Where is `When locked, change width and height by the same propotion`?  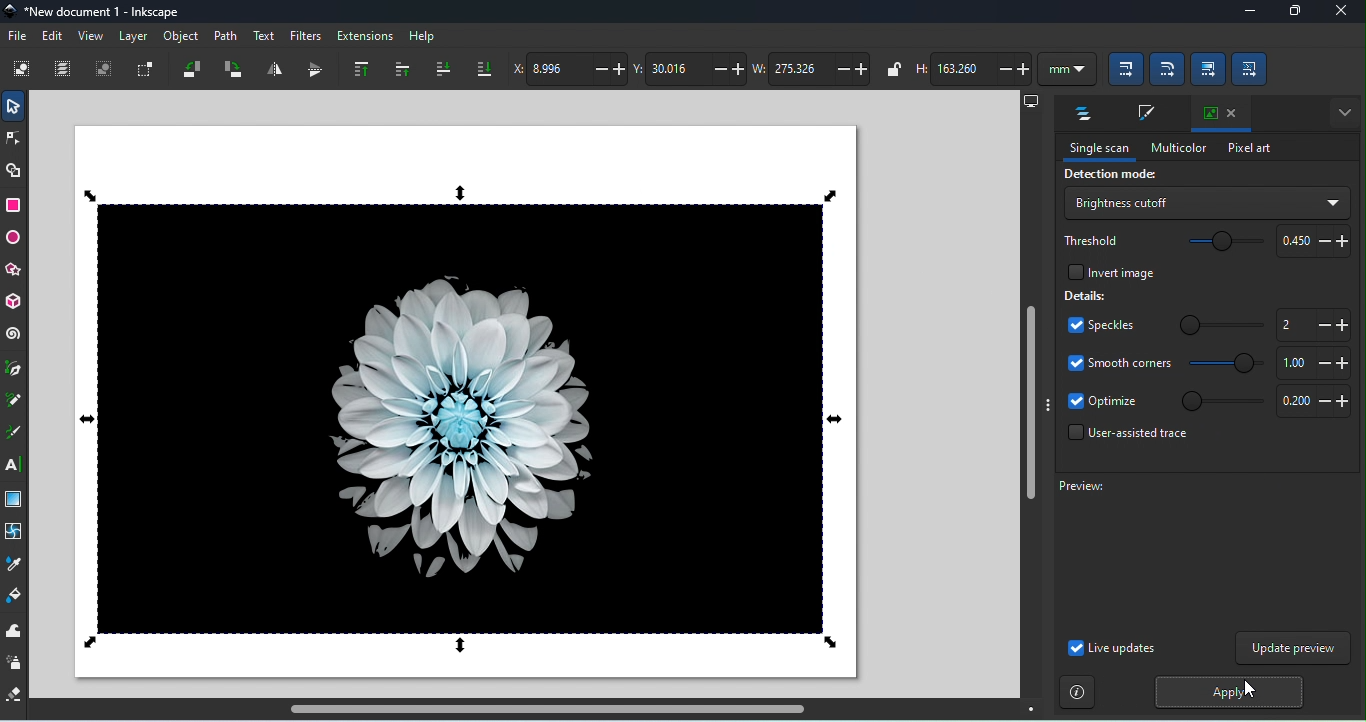
When locked, change width and height by the same propotion is located at coordinates (891, 69).